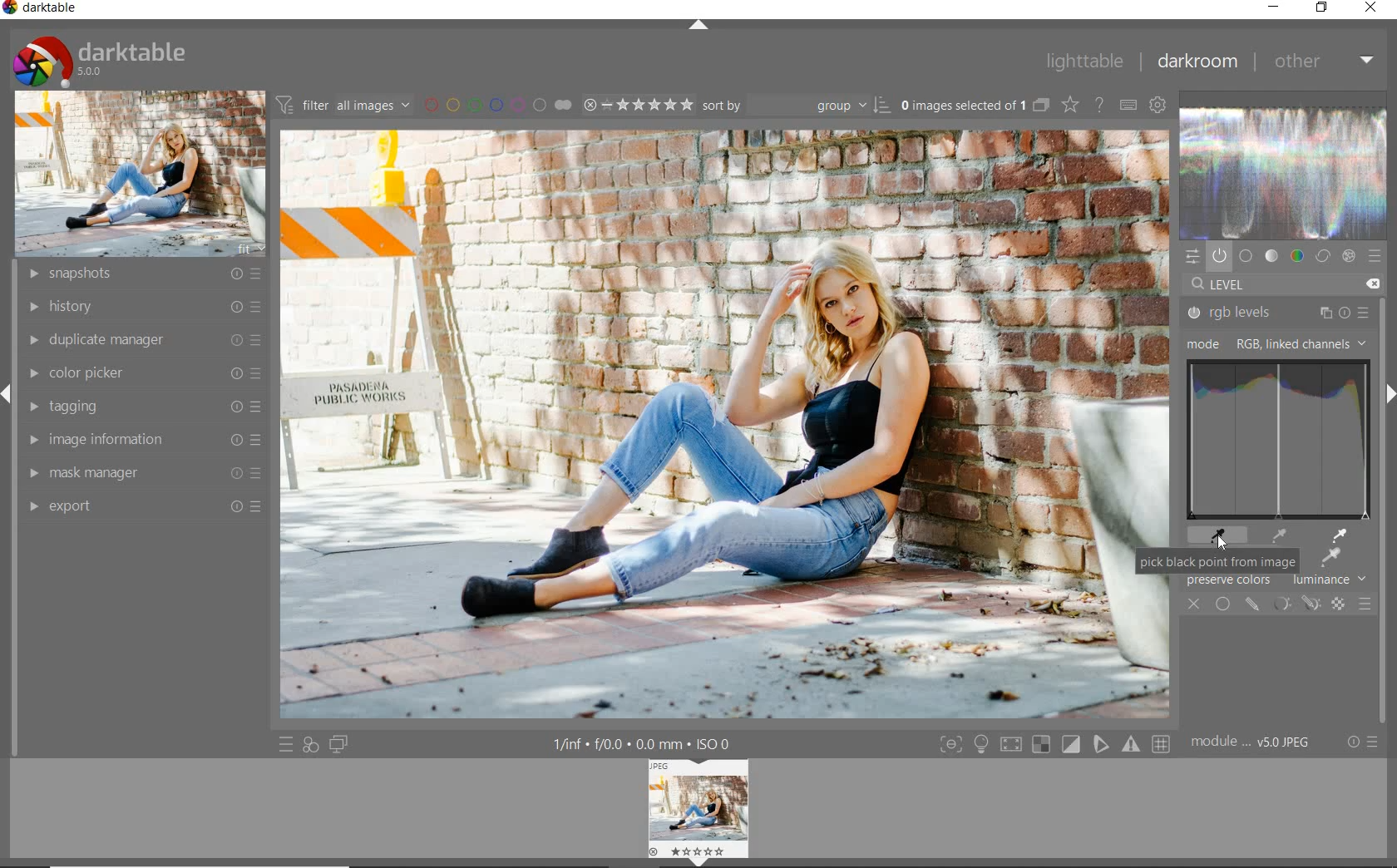 The image size is (1397, 868). What do you see at coordinates (1220, 254) in the screenshot?
I see `show only active modules` at bounding box center [1220, 254].